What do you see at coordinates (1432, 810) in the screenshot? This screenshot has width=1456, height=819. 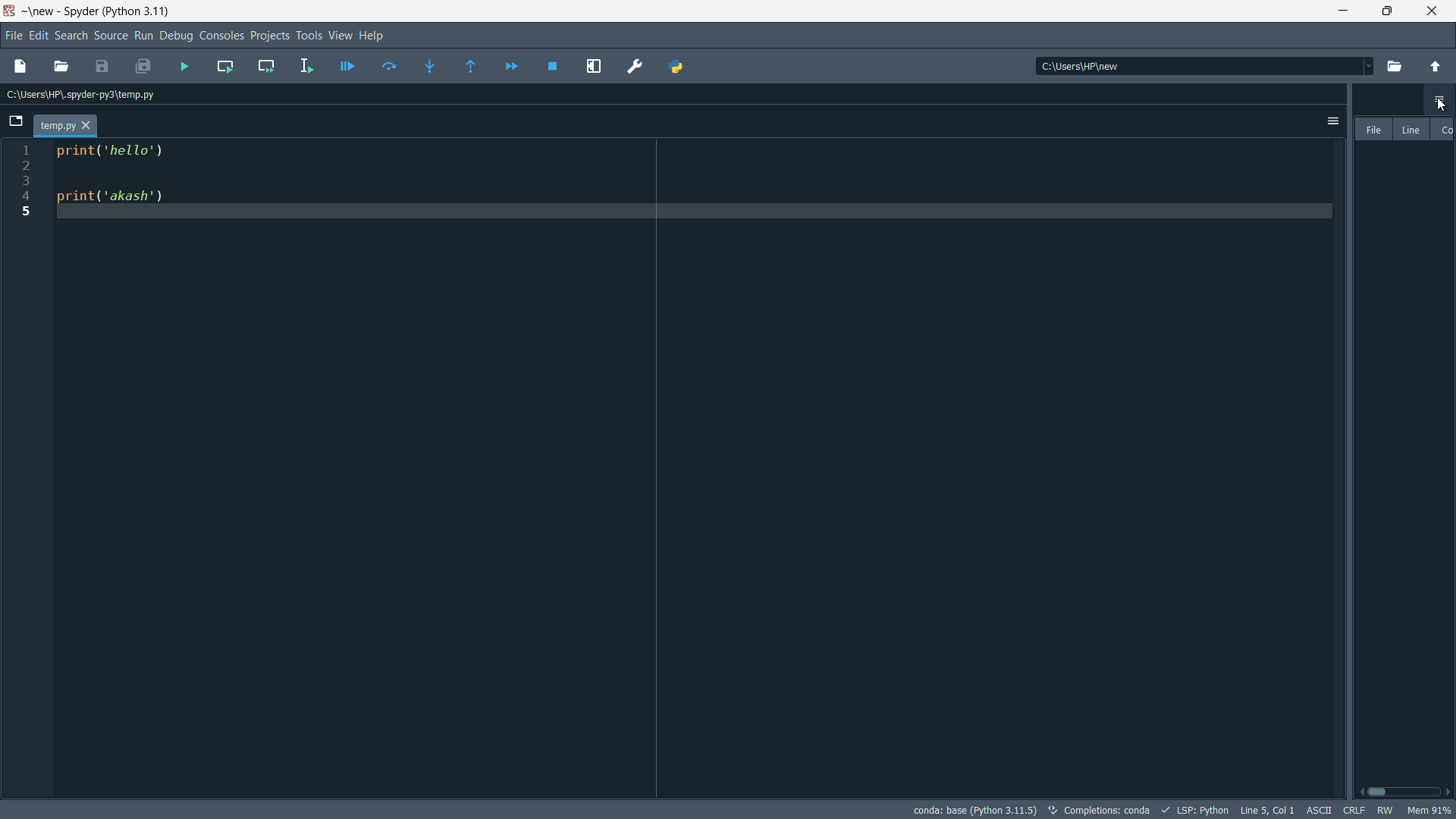 I see `memory usage` at bounding box center [1432, 810].